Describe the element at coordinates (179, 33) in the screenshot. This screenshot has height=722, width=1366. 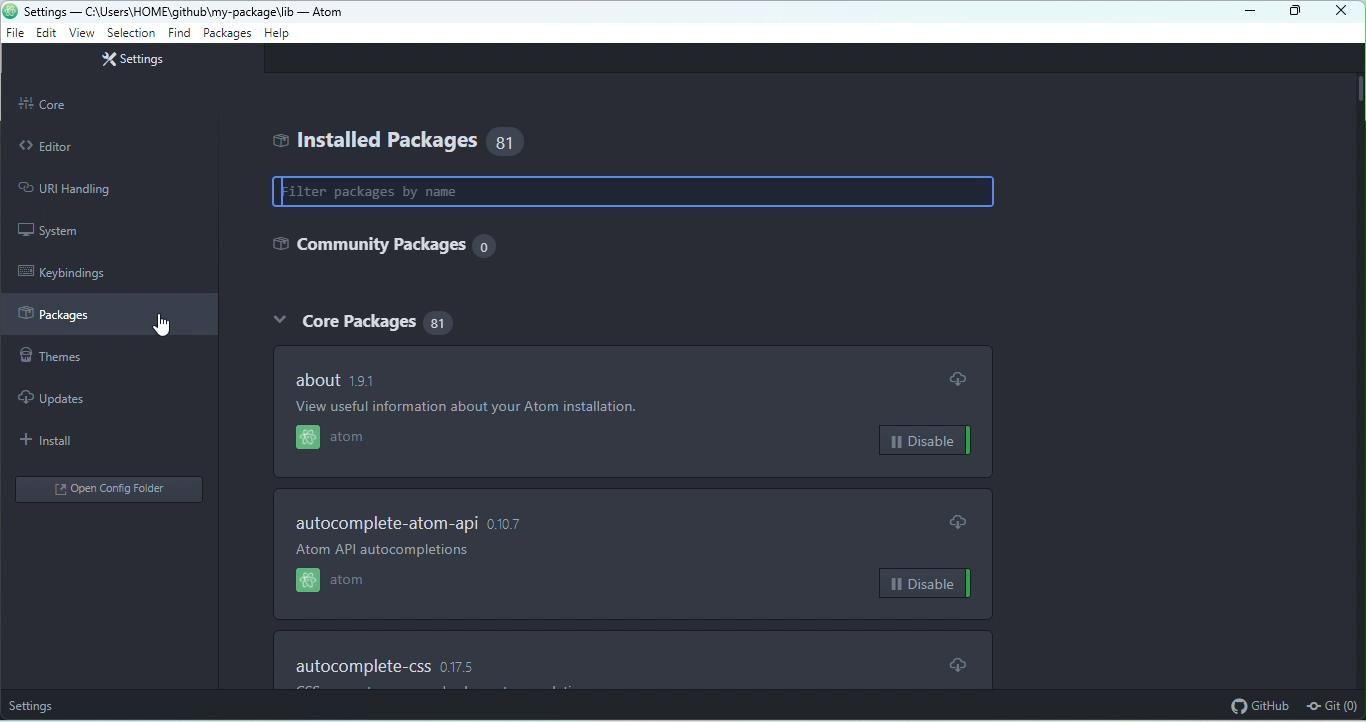
I see `find` at that location.